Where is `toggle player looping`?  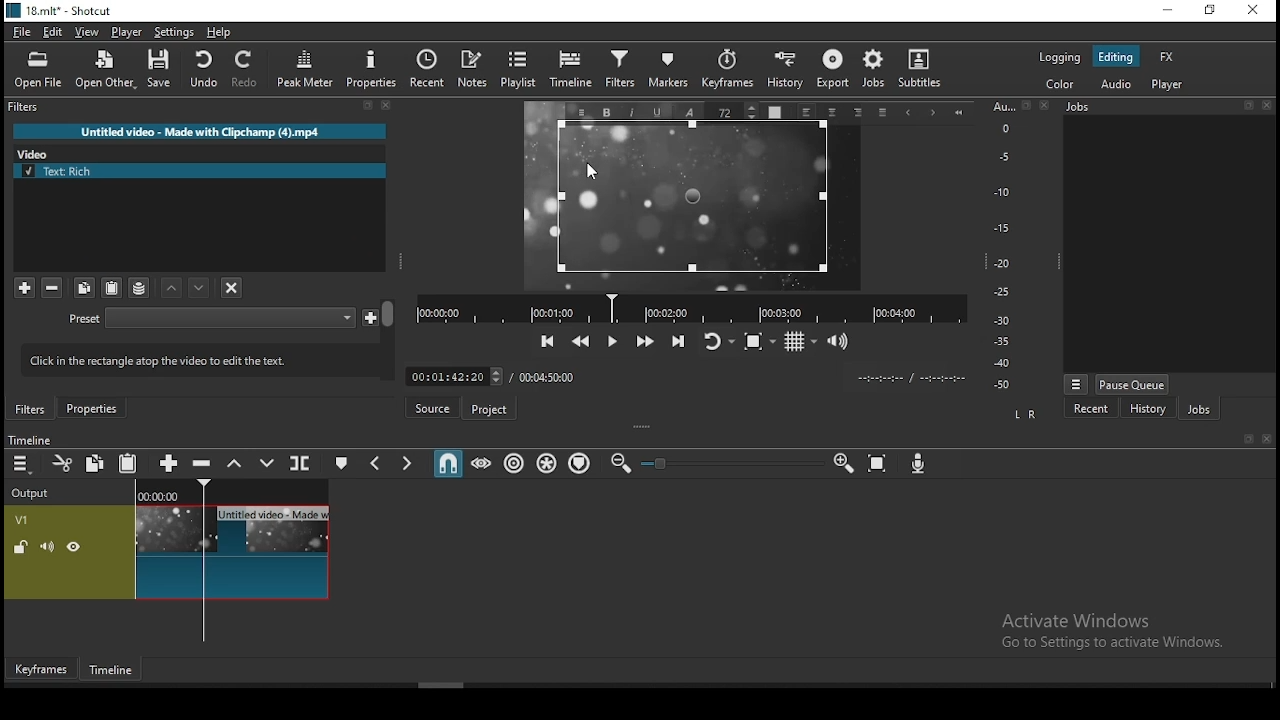 toggle player looping is located at coordinates (721, 341).